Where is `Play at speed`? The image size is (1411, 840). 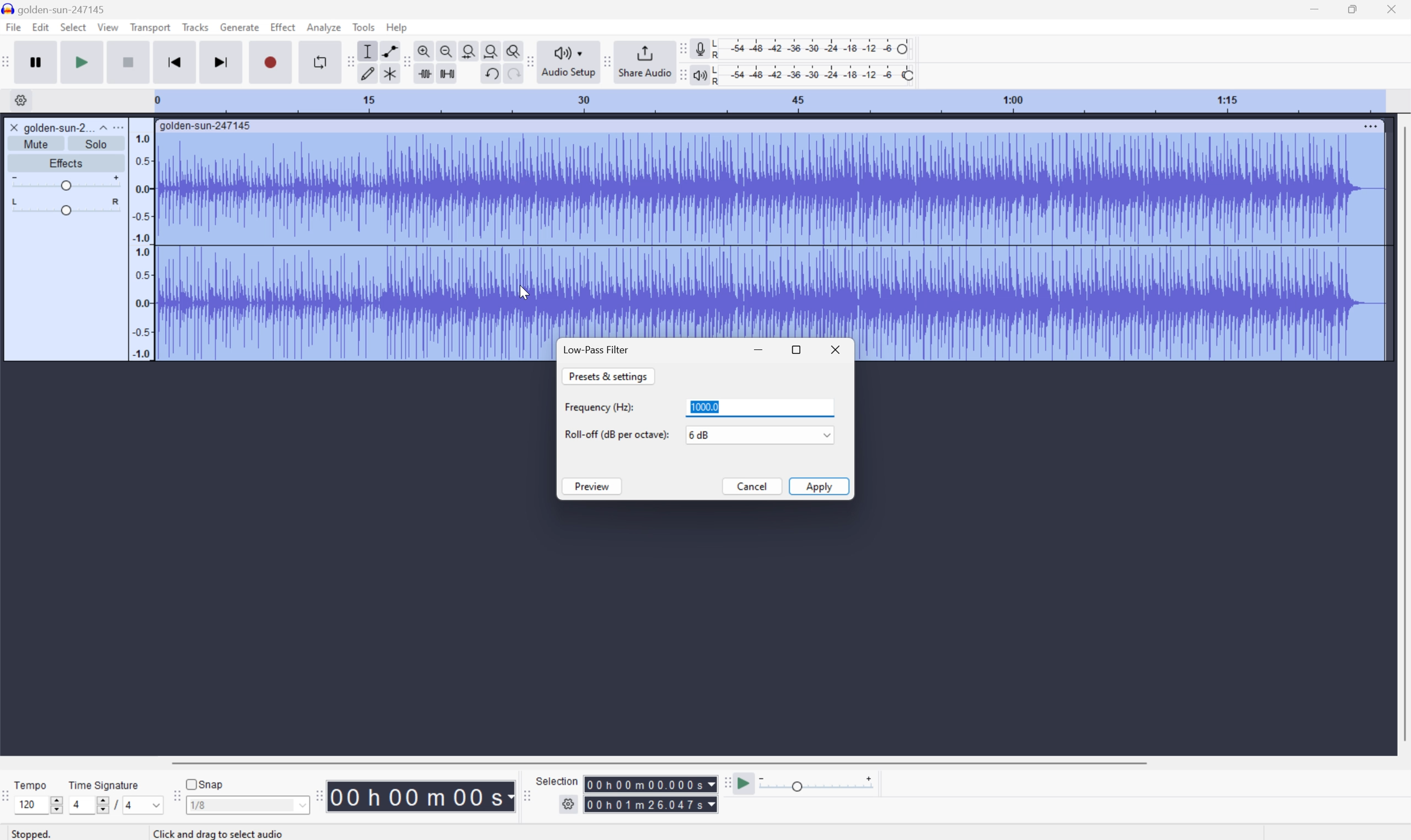
Play at speed is located at coordinates (745, 784).